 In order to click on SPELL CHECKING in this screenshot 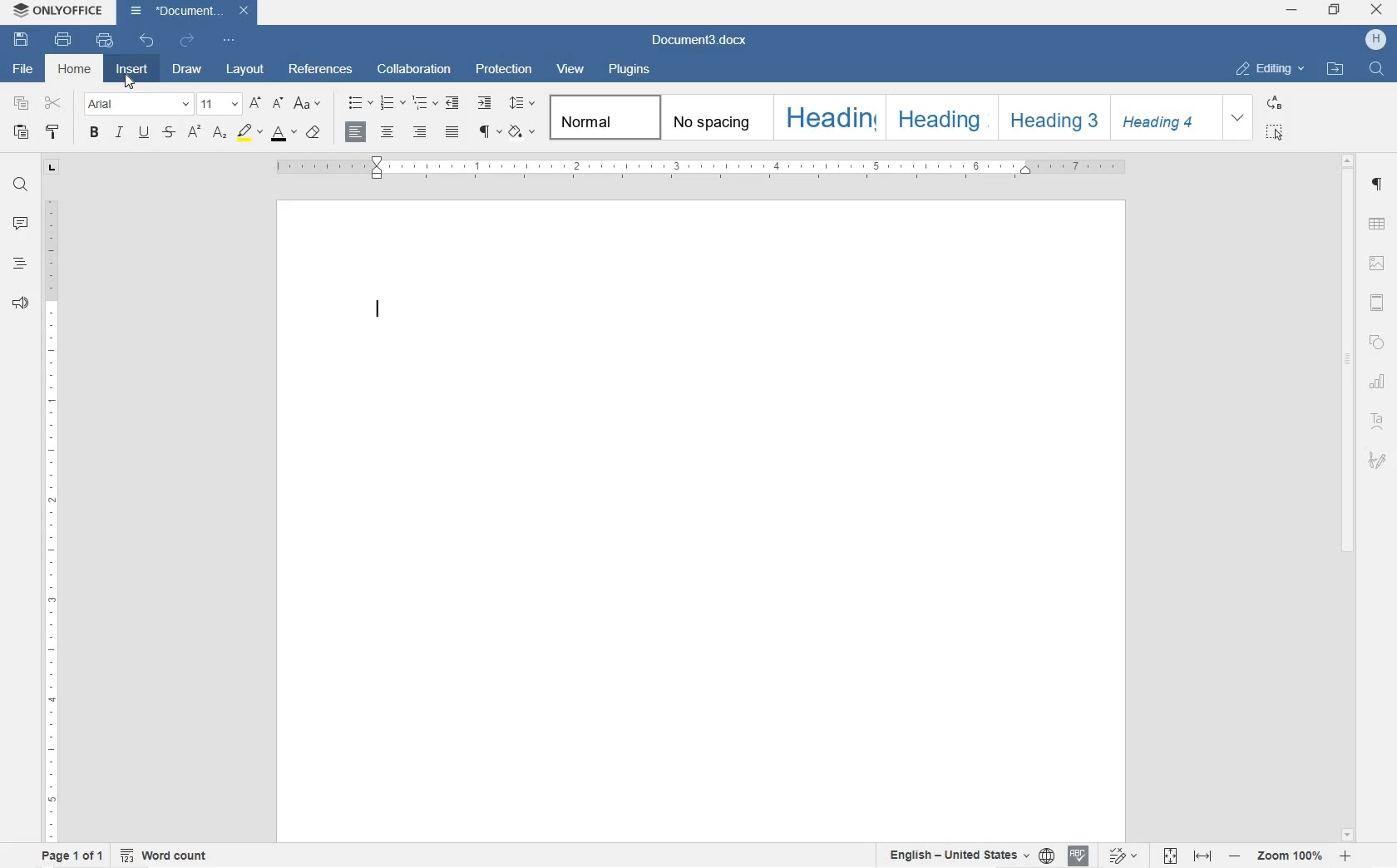, I will do `click(1077, 856)`.